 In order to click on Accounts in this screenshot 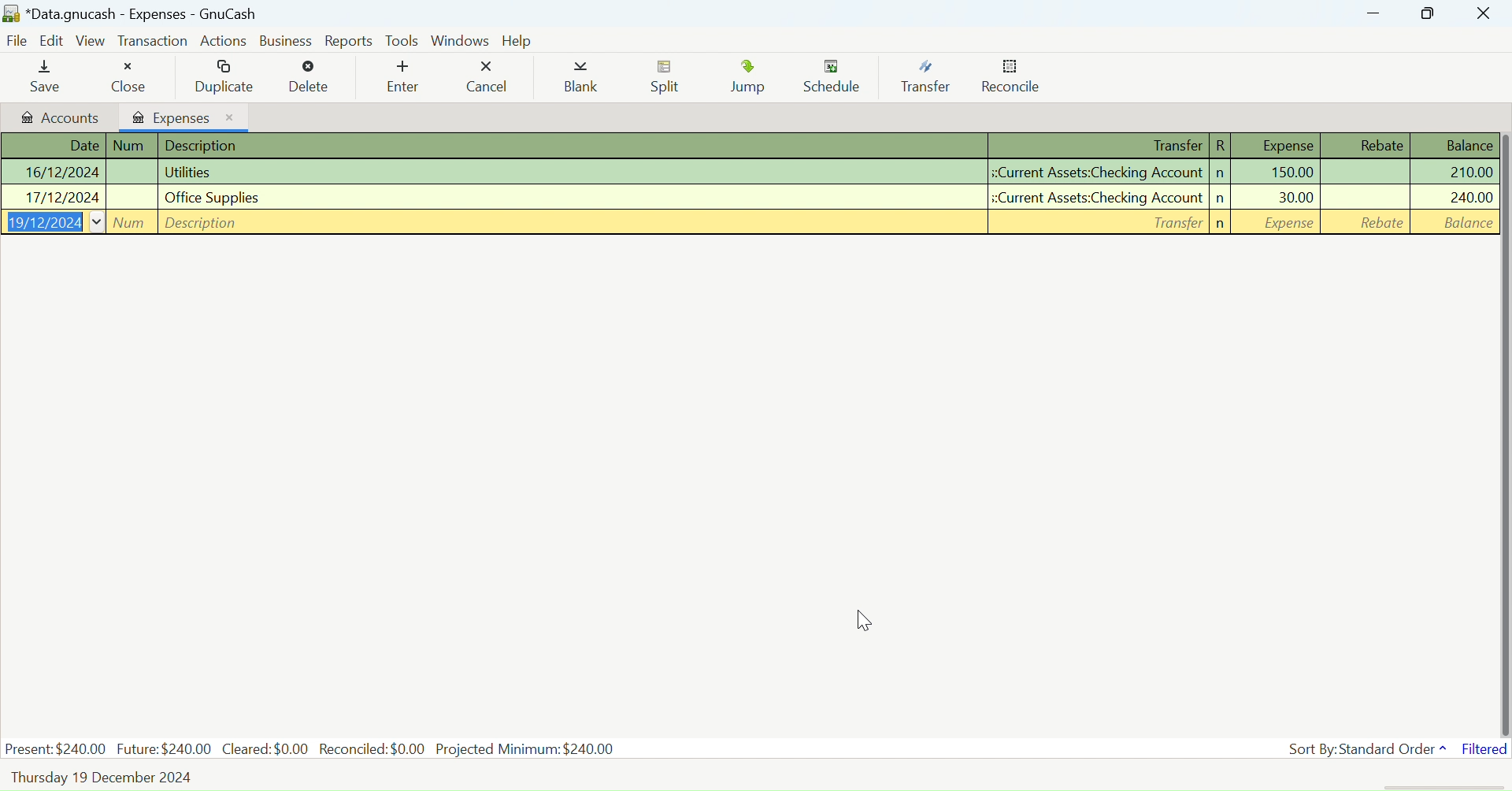, I will do `click(61, 117)`.